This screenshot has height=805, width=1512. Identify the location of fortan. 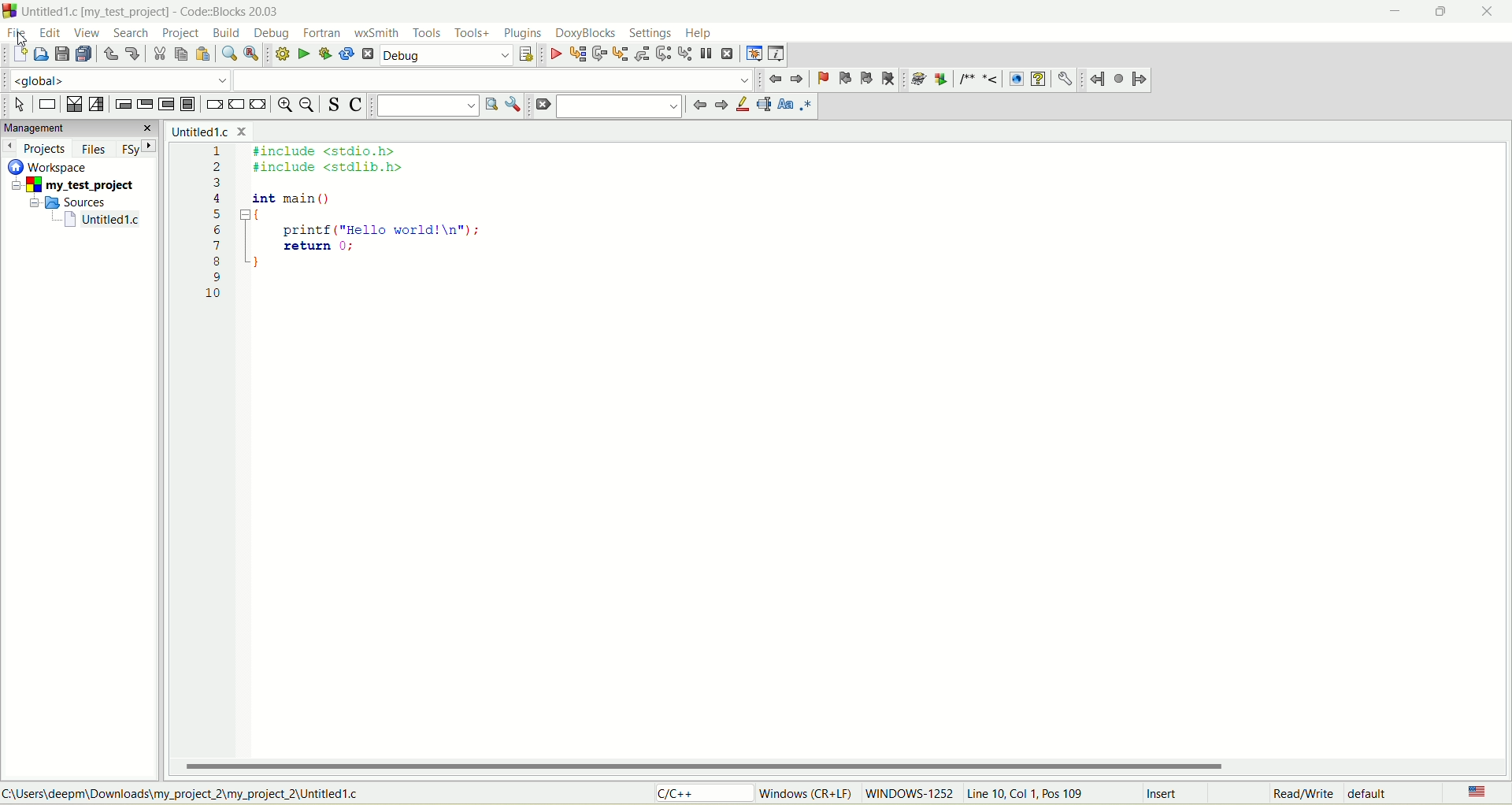
(324, 33).